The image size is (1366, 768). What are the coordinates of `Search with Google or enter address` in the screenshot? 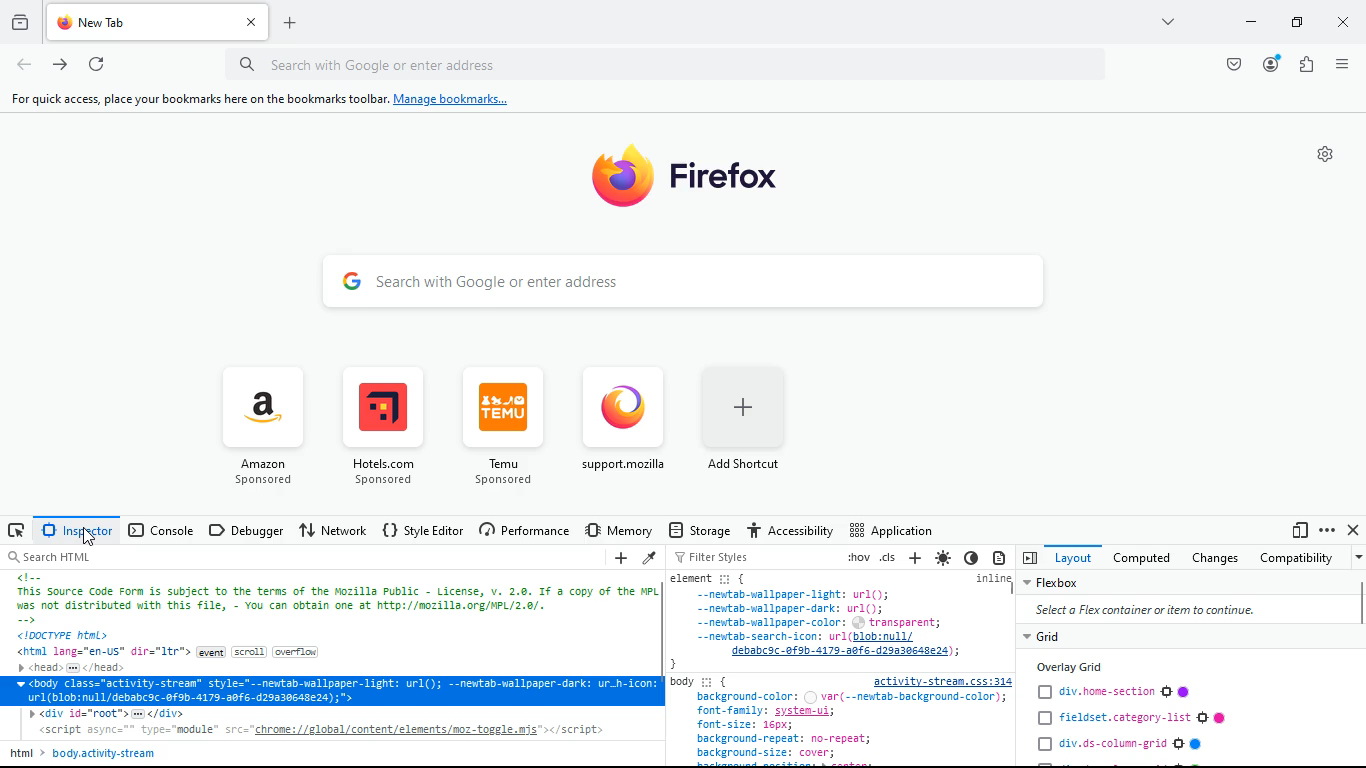 It's located at (405, 63).